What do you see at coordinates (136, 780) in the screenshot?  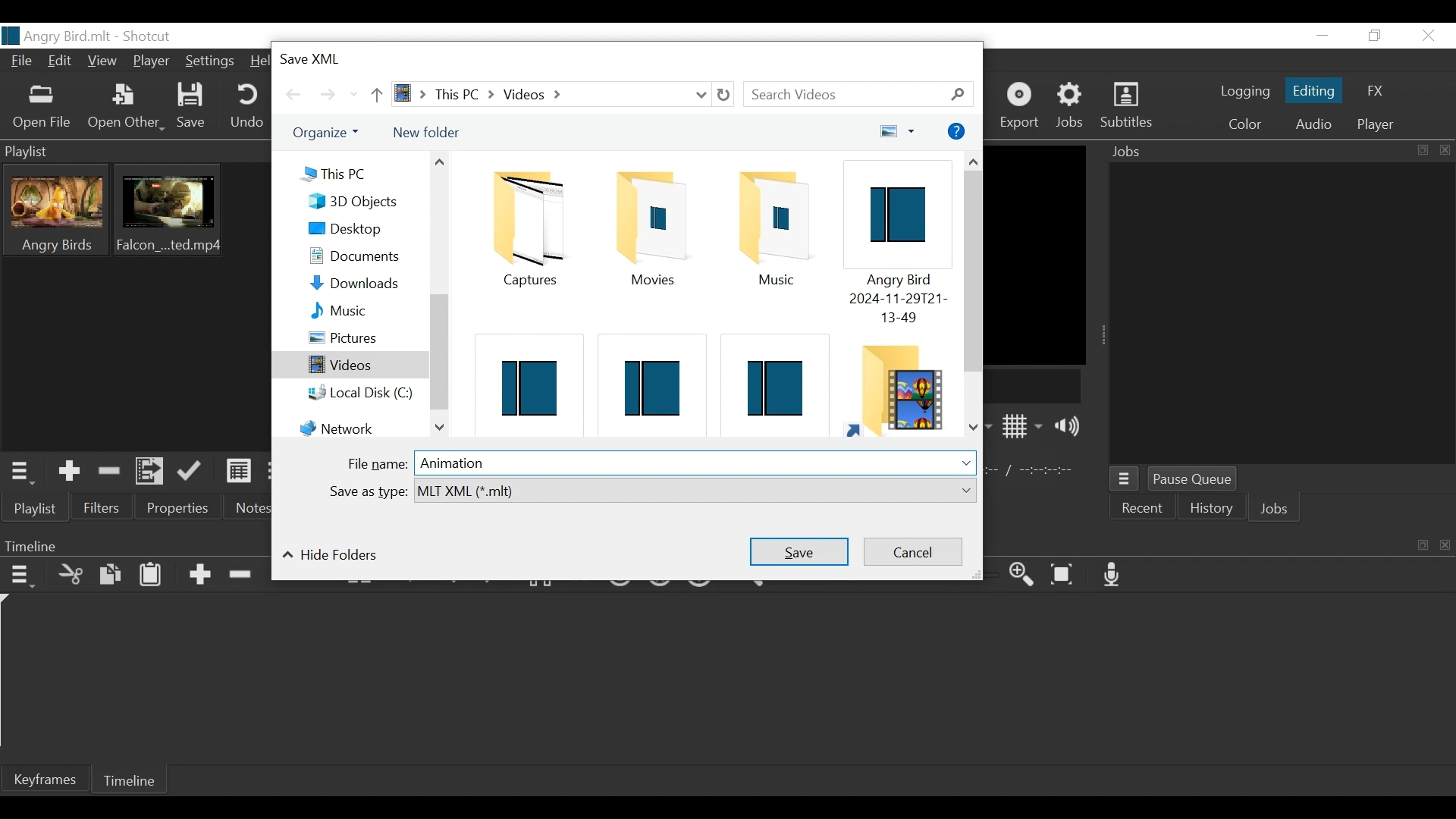 I see `Timeline` at bounding box center [136, 780].